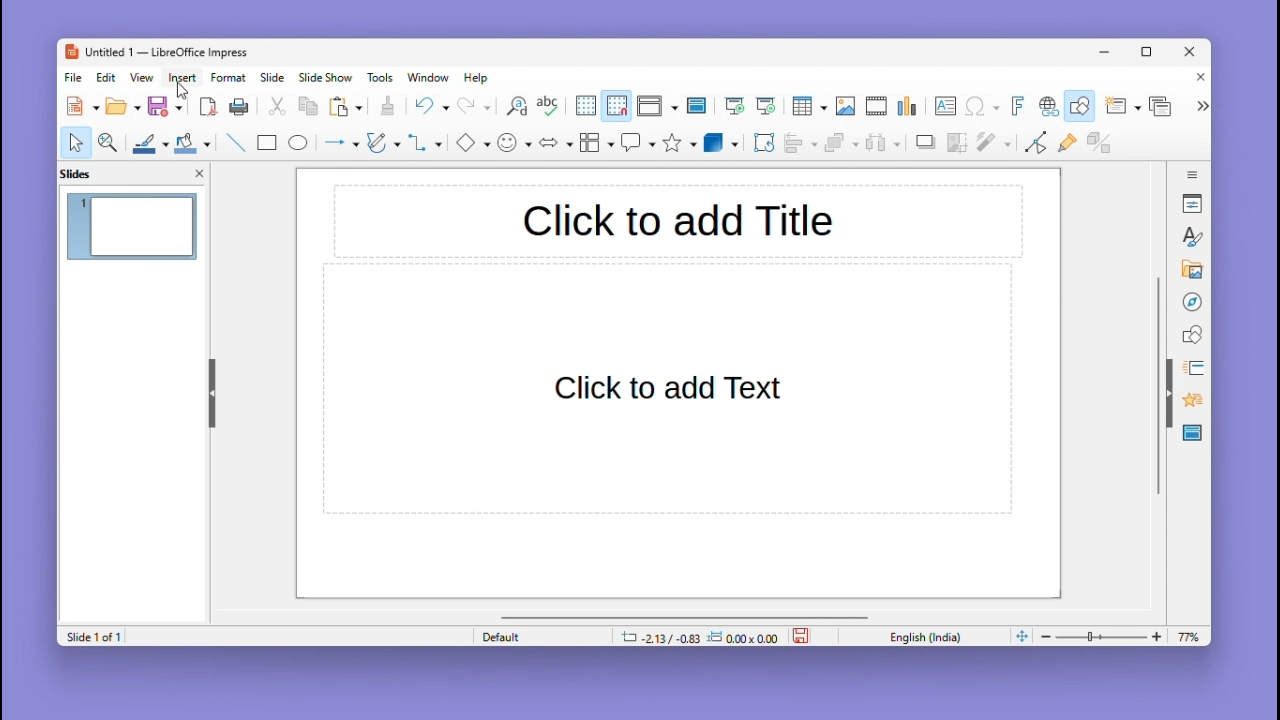  Describe the element at coordinates (685, 616) in the screenshot. I see `Horizontal scroll bar` at that location.